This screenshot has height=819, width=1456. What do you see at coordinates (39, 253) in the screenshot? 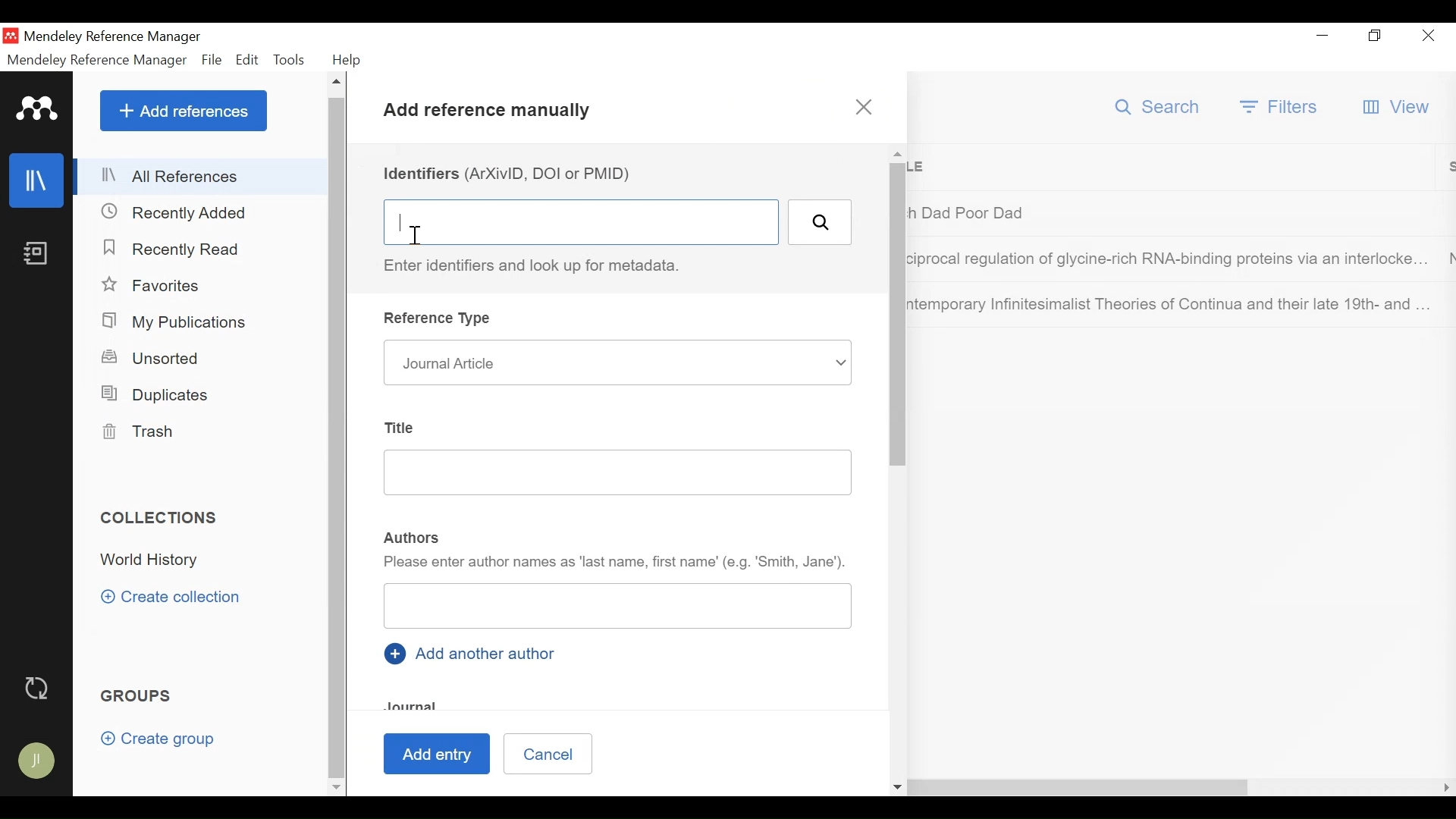
I see `Notees` at bounding box center [39, 253].